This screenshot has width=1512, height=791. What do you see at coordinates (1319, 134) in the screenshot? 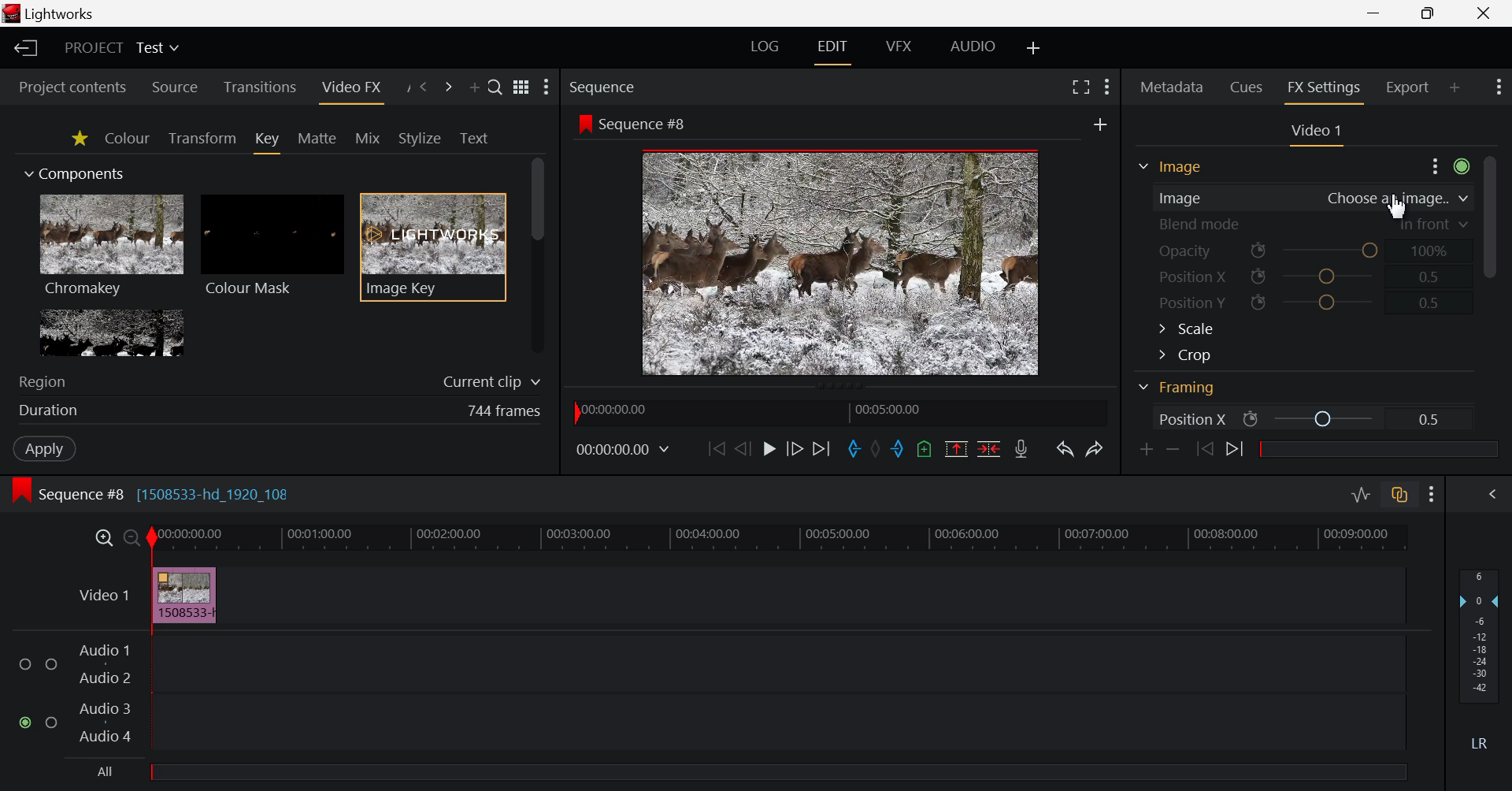
I see `Video Settings` at bounding box center [1319, 134].